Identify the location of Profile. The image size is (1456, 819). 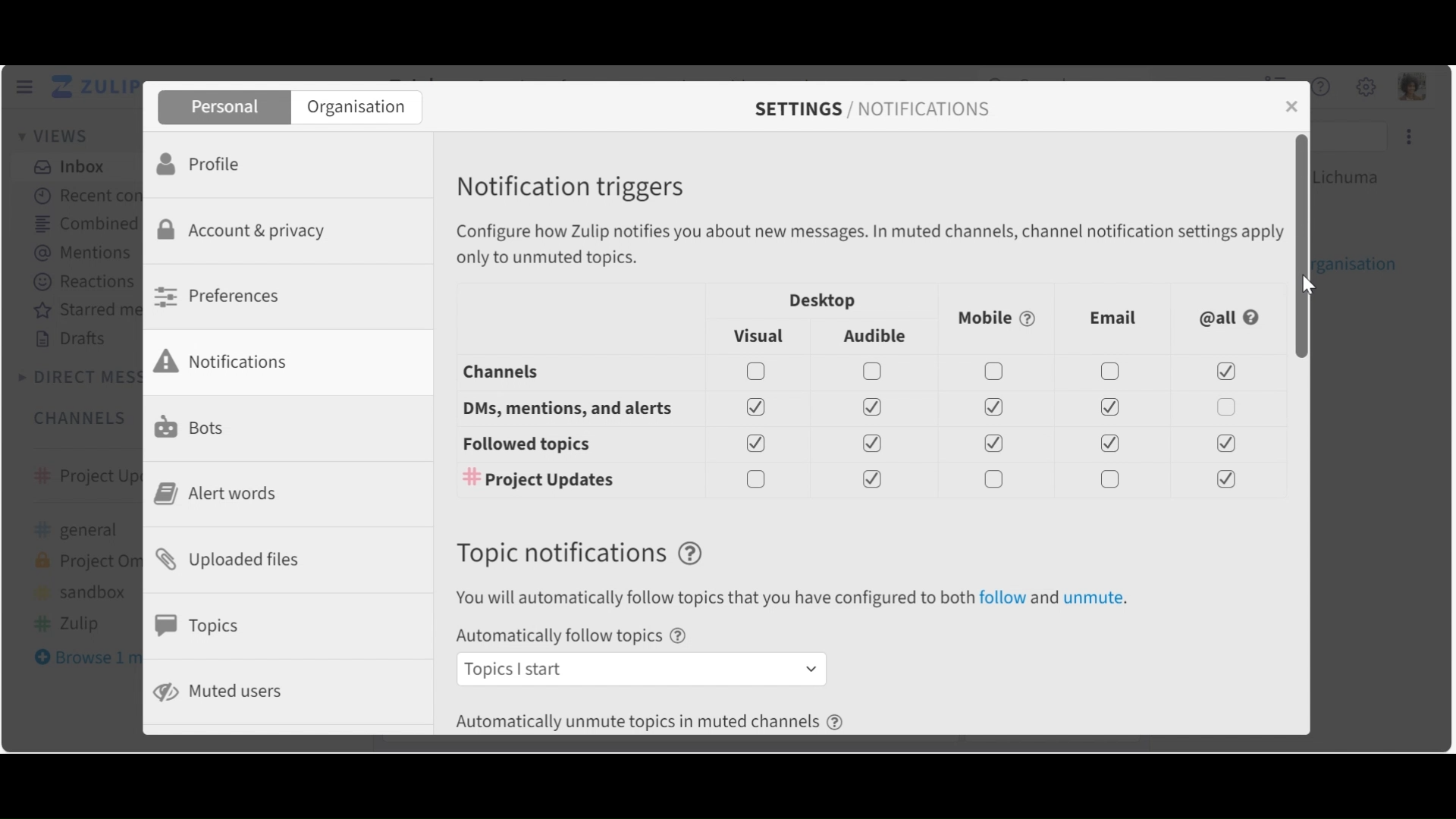
(204, 162).